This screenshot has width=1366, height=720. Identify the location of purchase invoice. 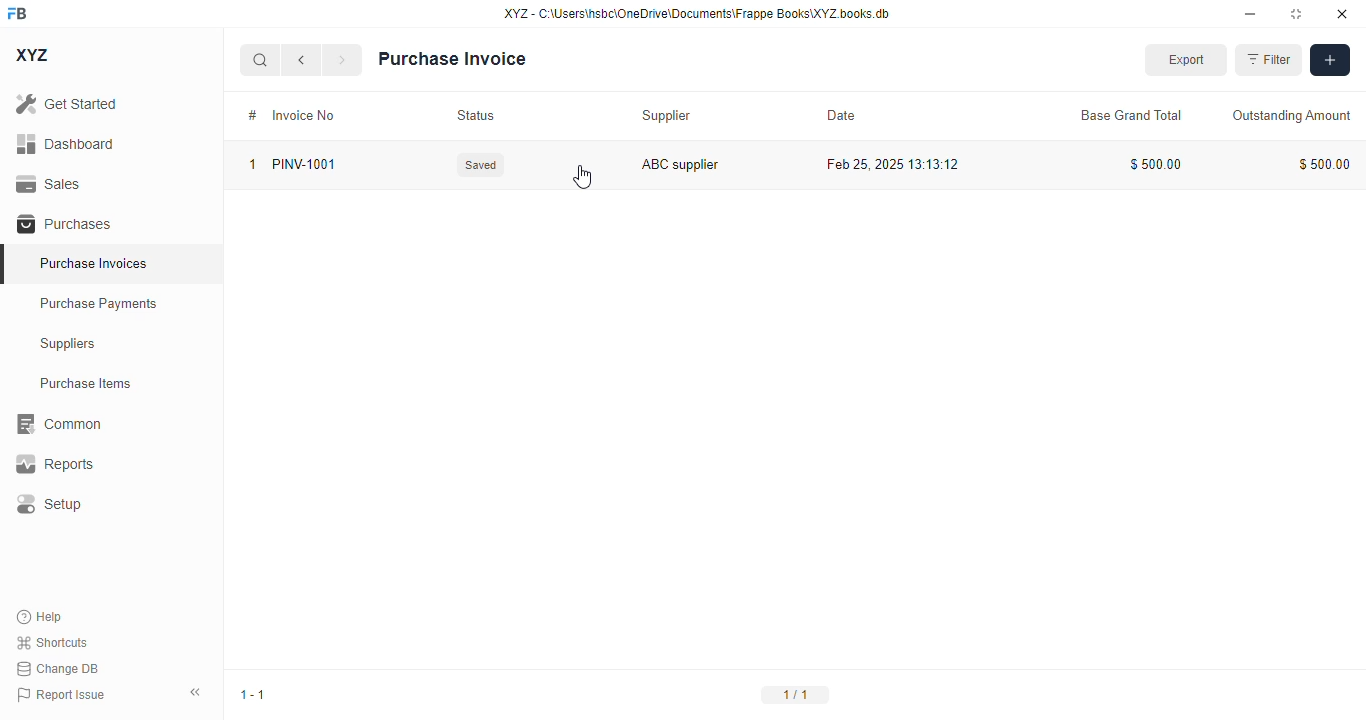
(451, 59).